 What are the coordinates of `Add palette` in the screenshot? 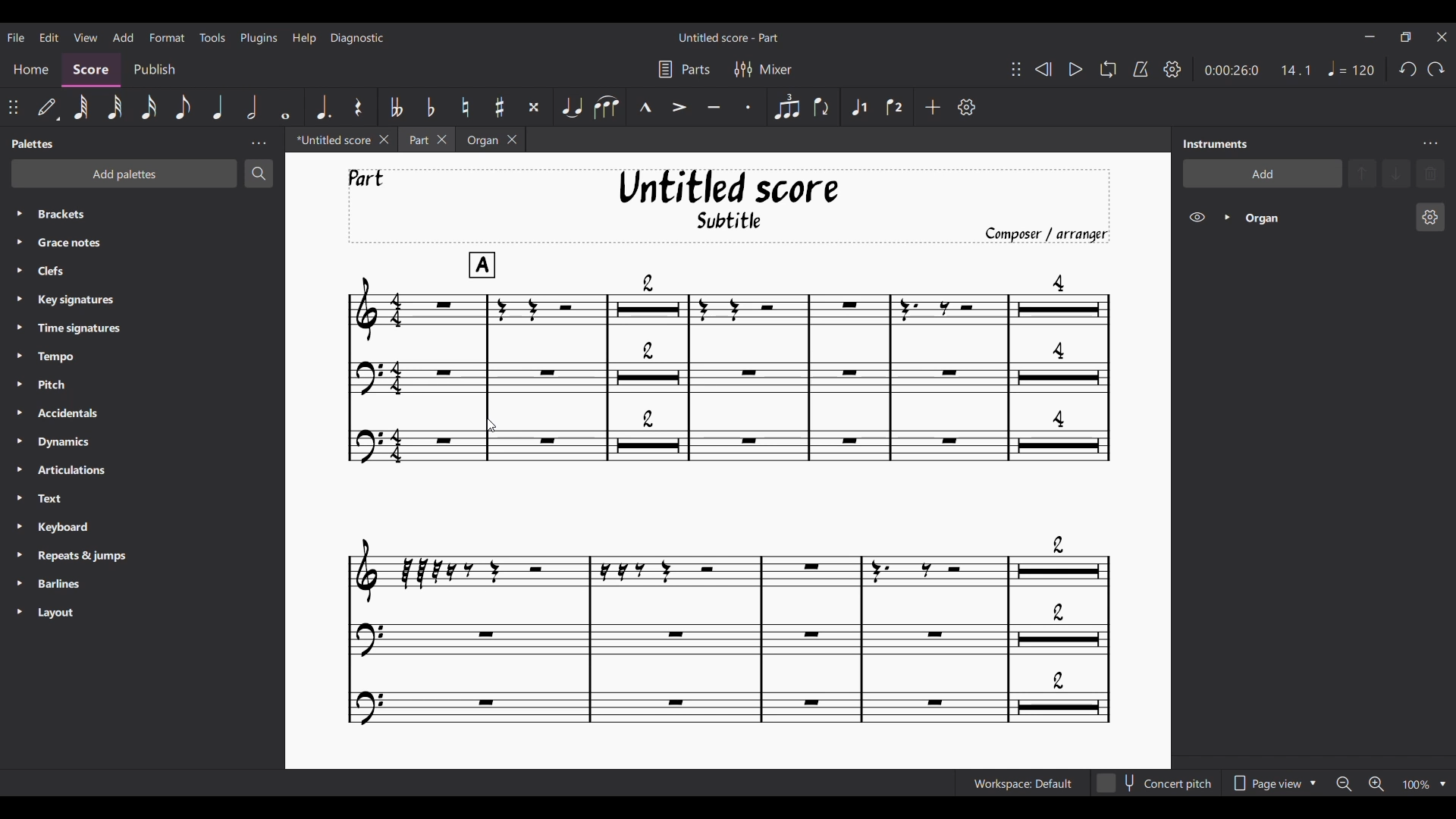 It's located at (124, 174).